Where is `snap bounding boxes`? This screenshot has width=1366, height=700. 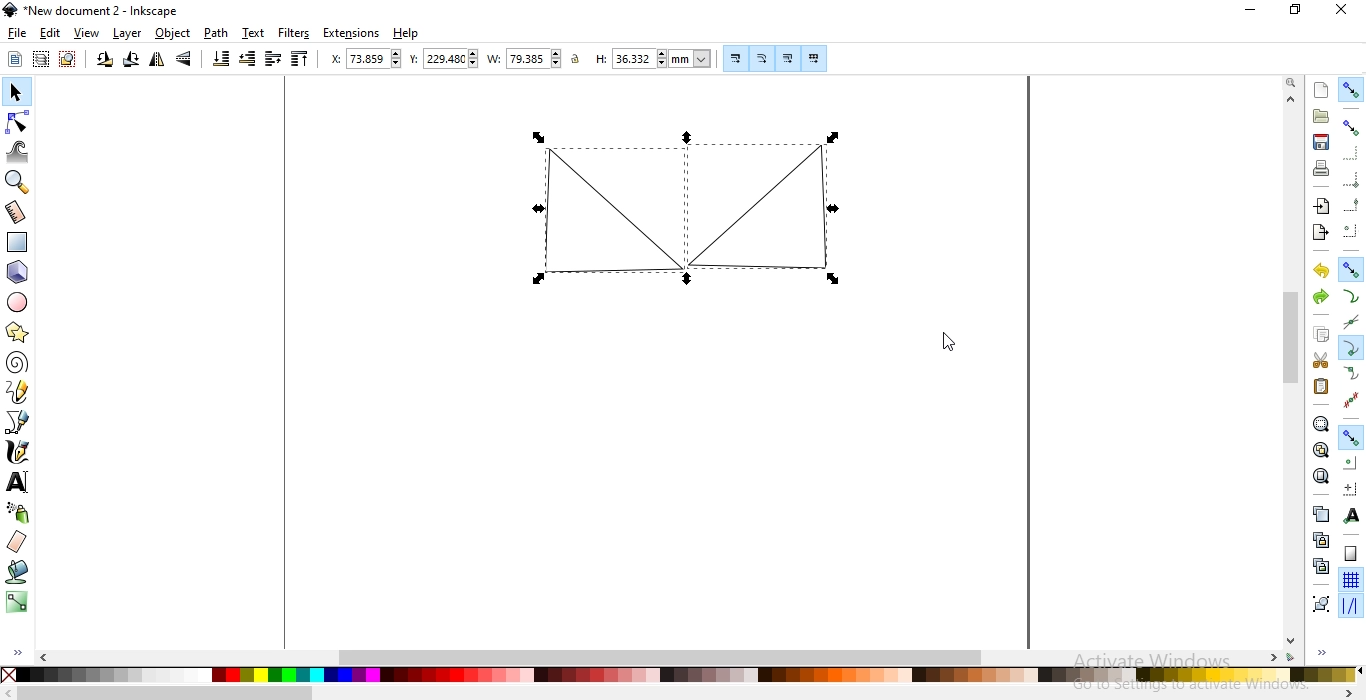
snap bounding boxes is located at coordinates (1352, 128).